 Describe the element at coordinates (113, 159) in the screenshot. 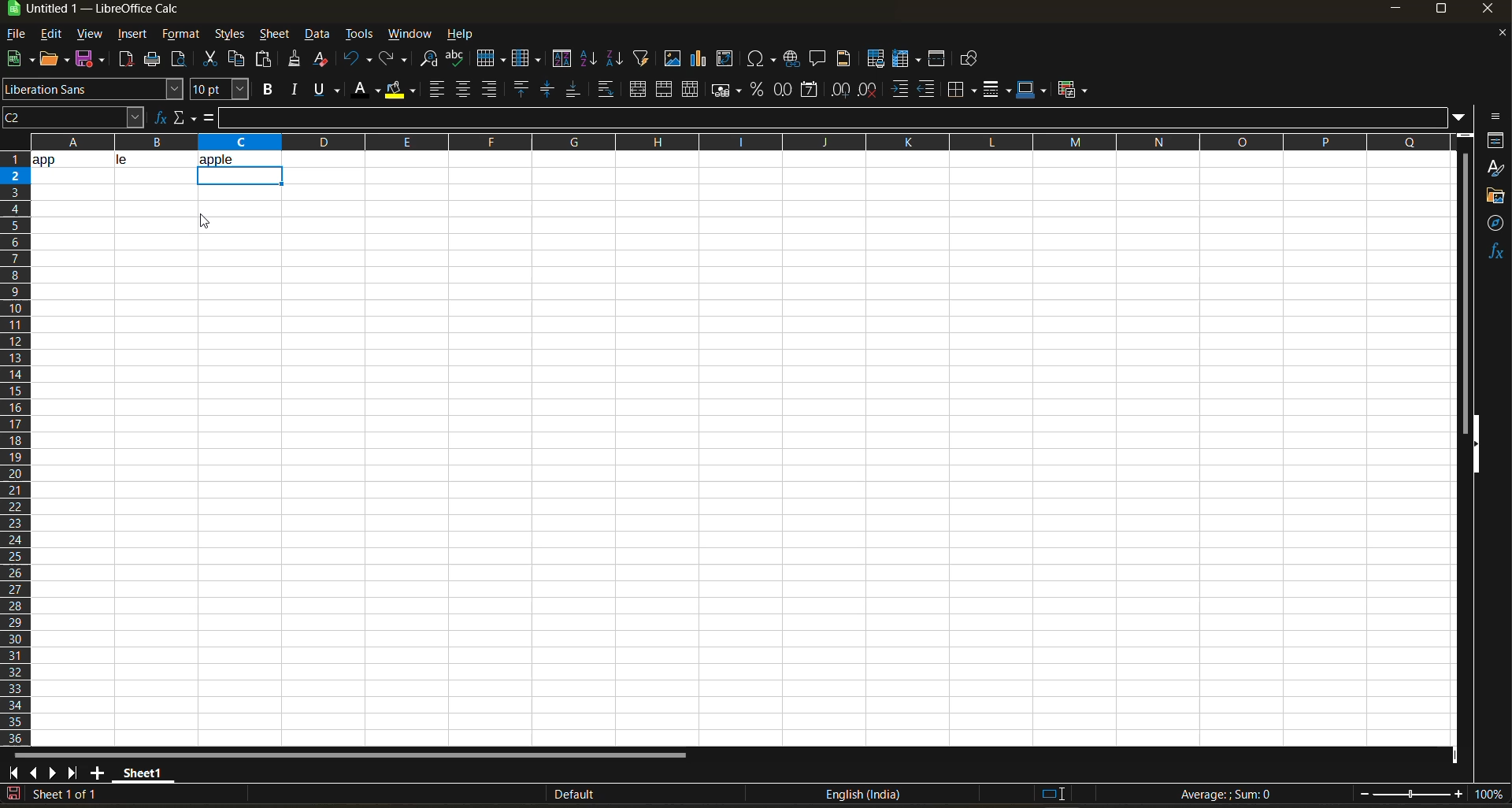

I see `data` at that location.